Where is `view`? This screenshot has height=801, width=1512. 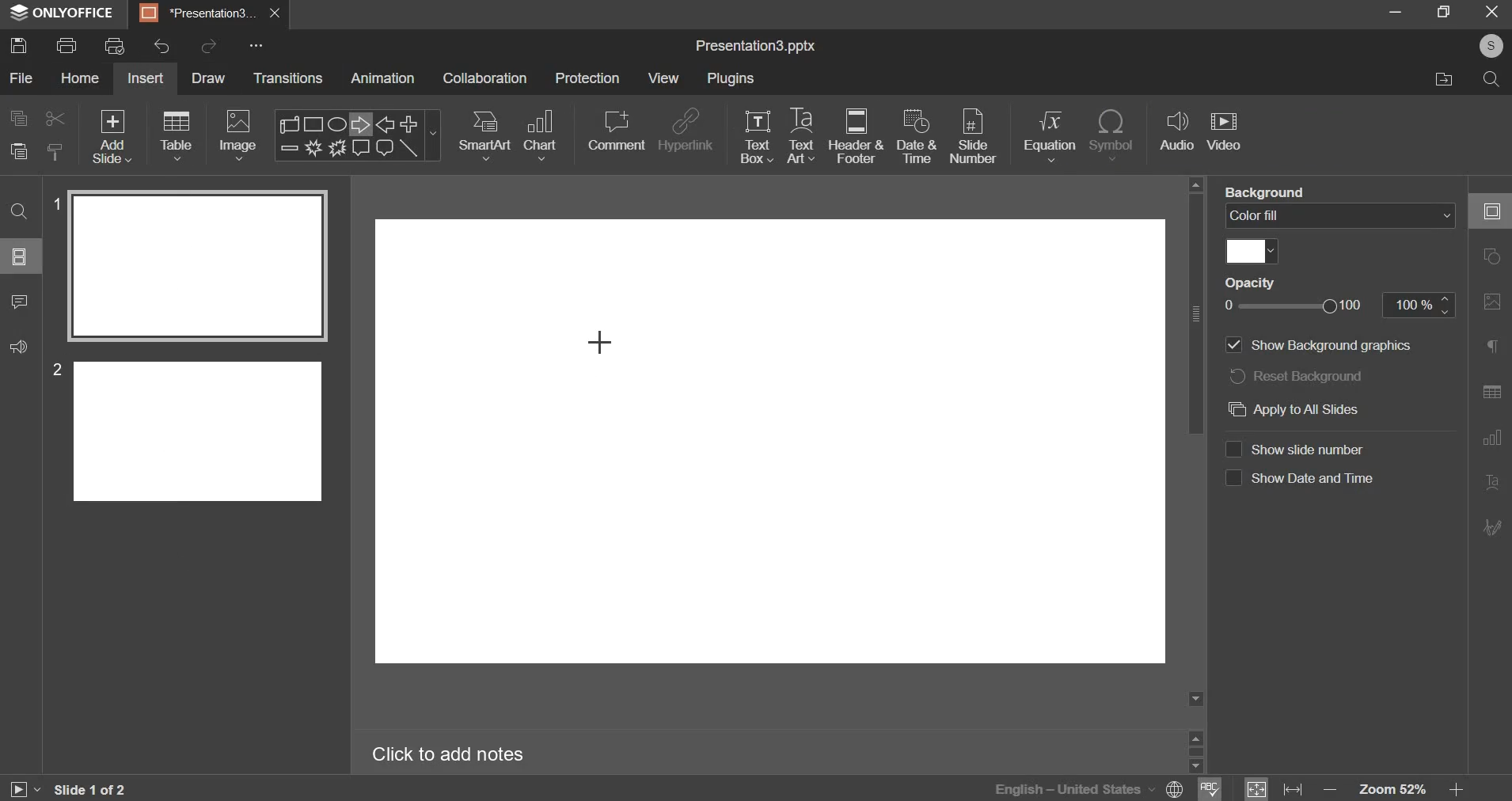 view is located at coordinates (663, 79).